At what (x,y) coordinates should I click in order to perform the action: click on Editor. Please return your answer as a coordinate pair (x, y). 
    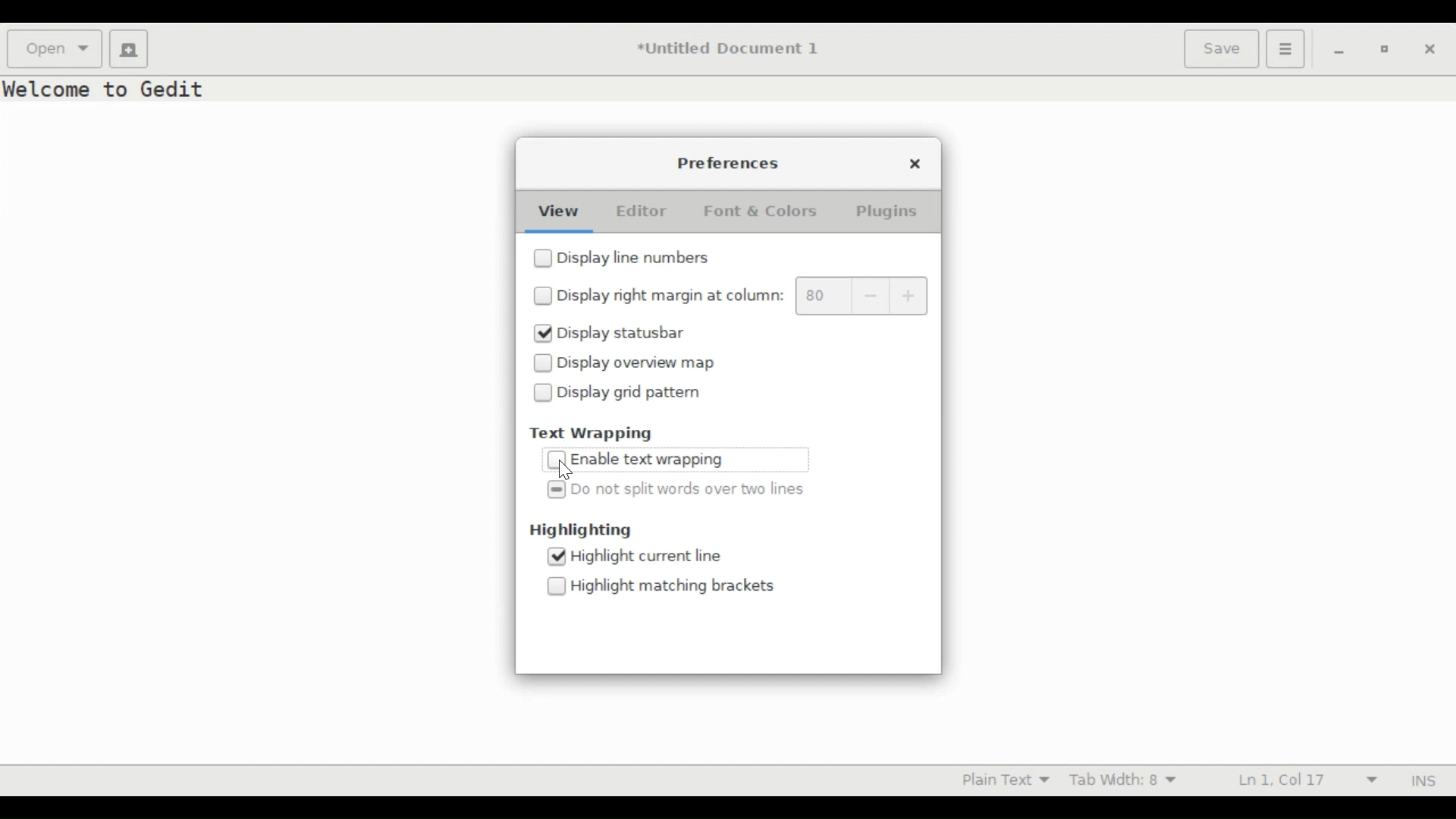
    Looking at the image, I should click on (642, 212).